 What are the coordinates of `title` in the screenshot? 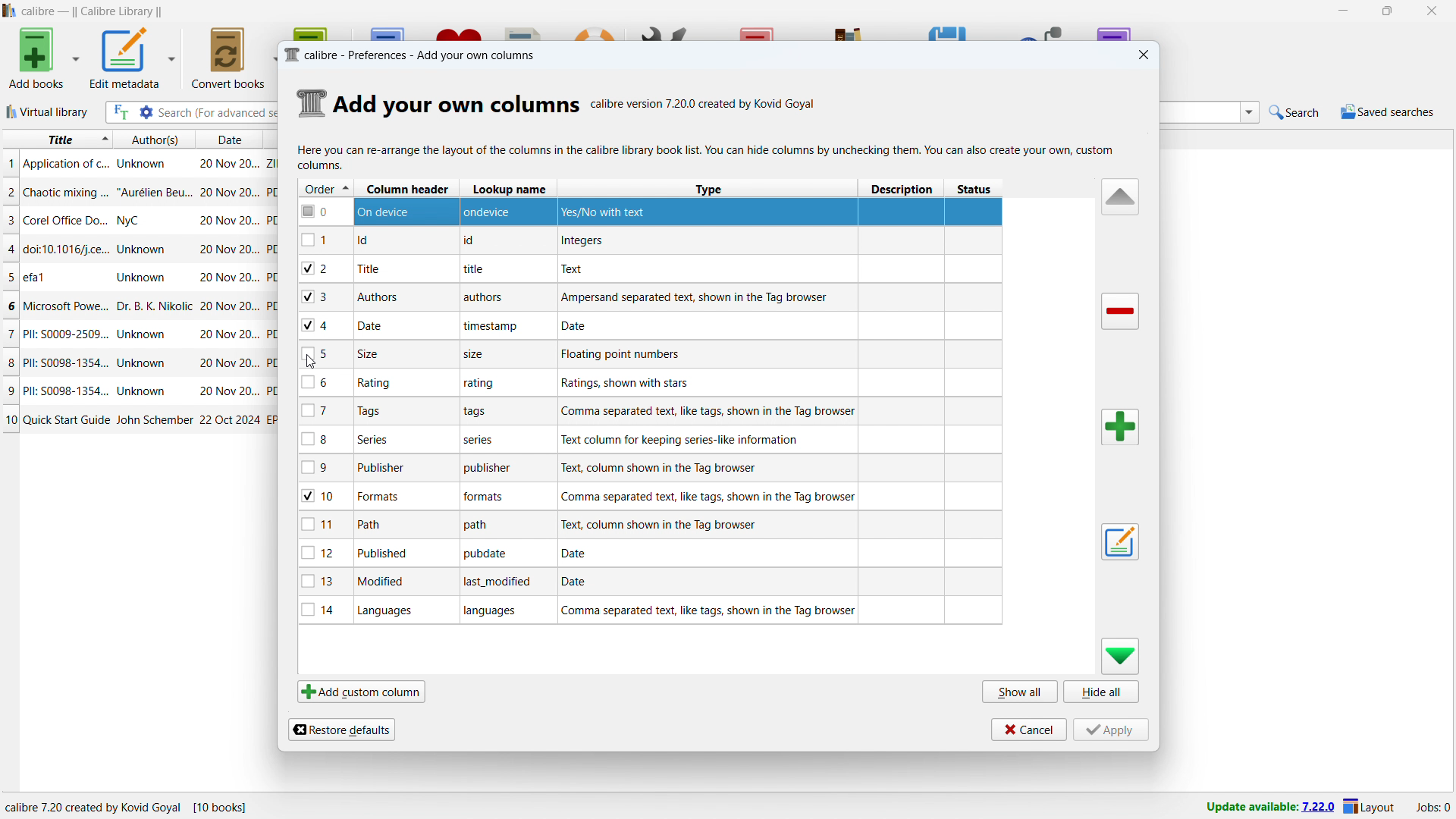 It's located at (381, 268).